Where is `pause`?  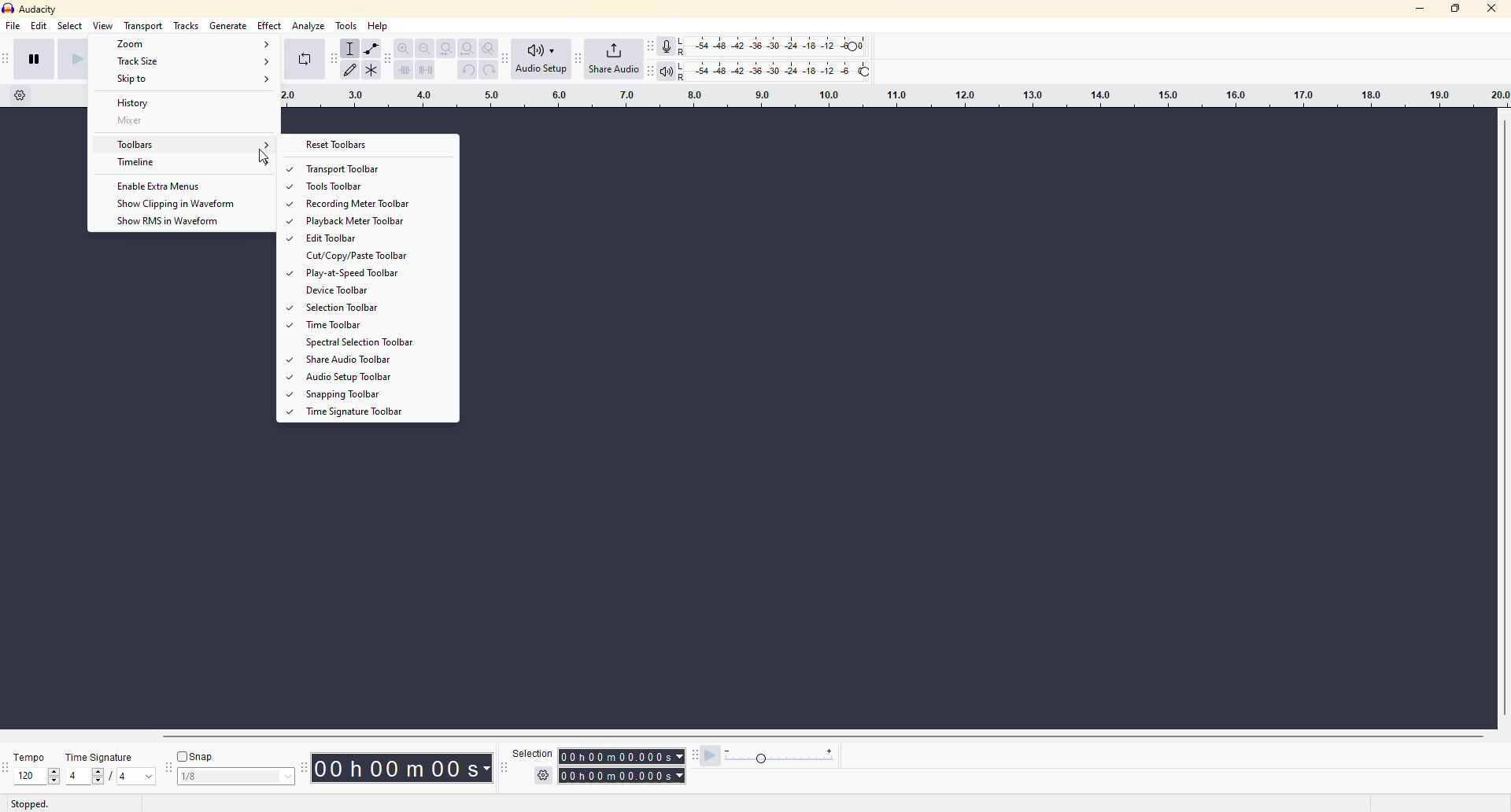
pause is located at coordinates (35, 58).